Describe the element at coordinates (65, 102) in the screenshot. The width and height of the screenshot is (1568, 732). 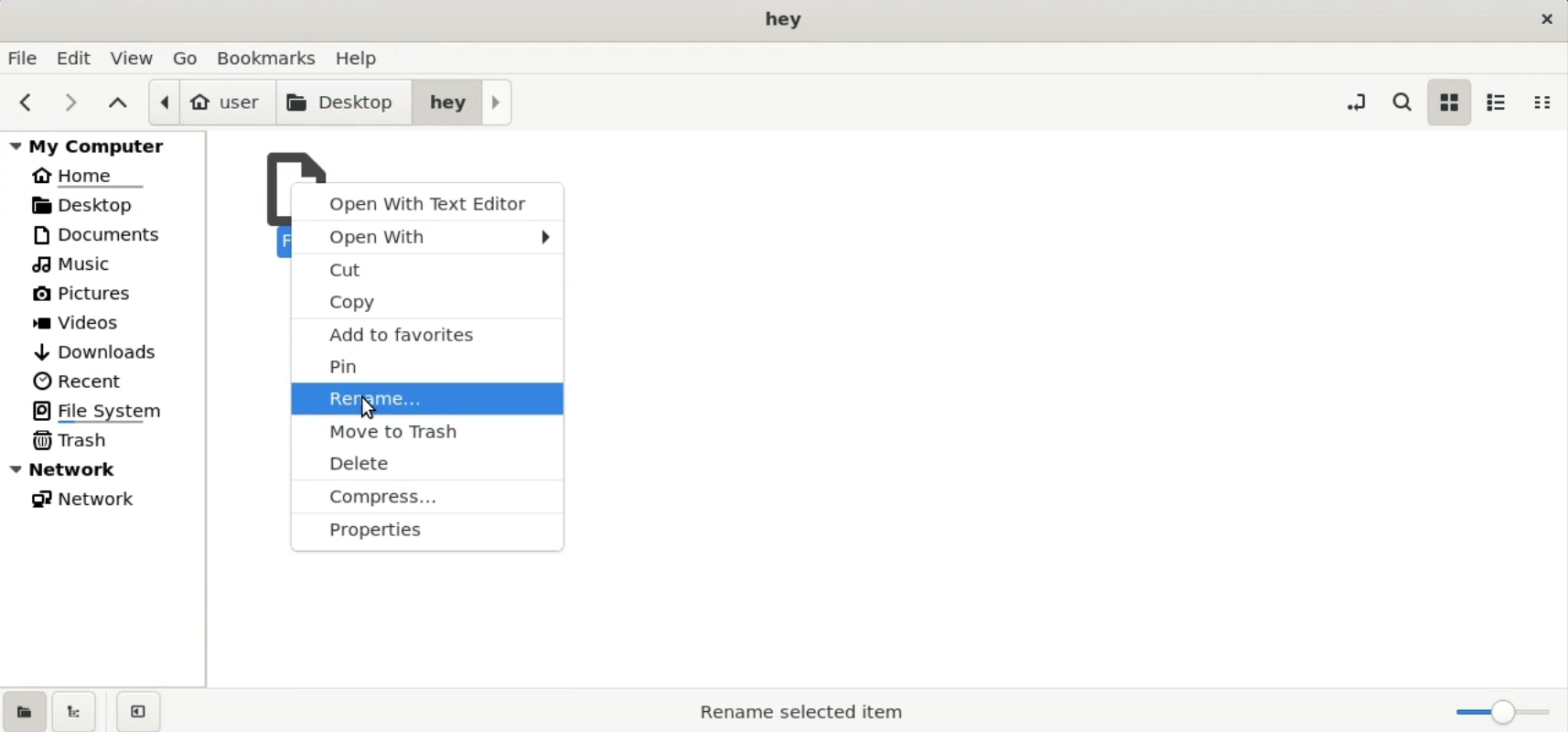
I see `next` at that location.